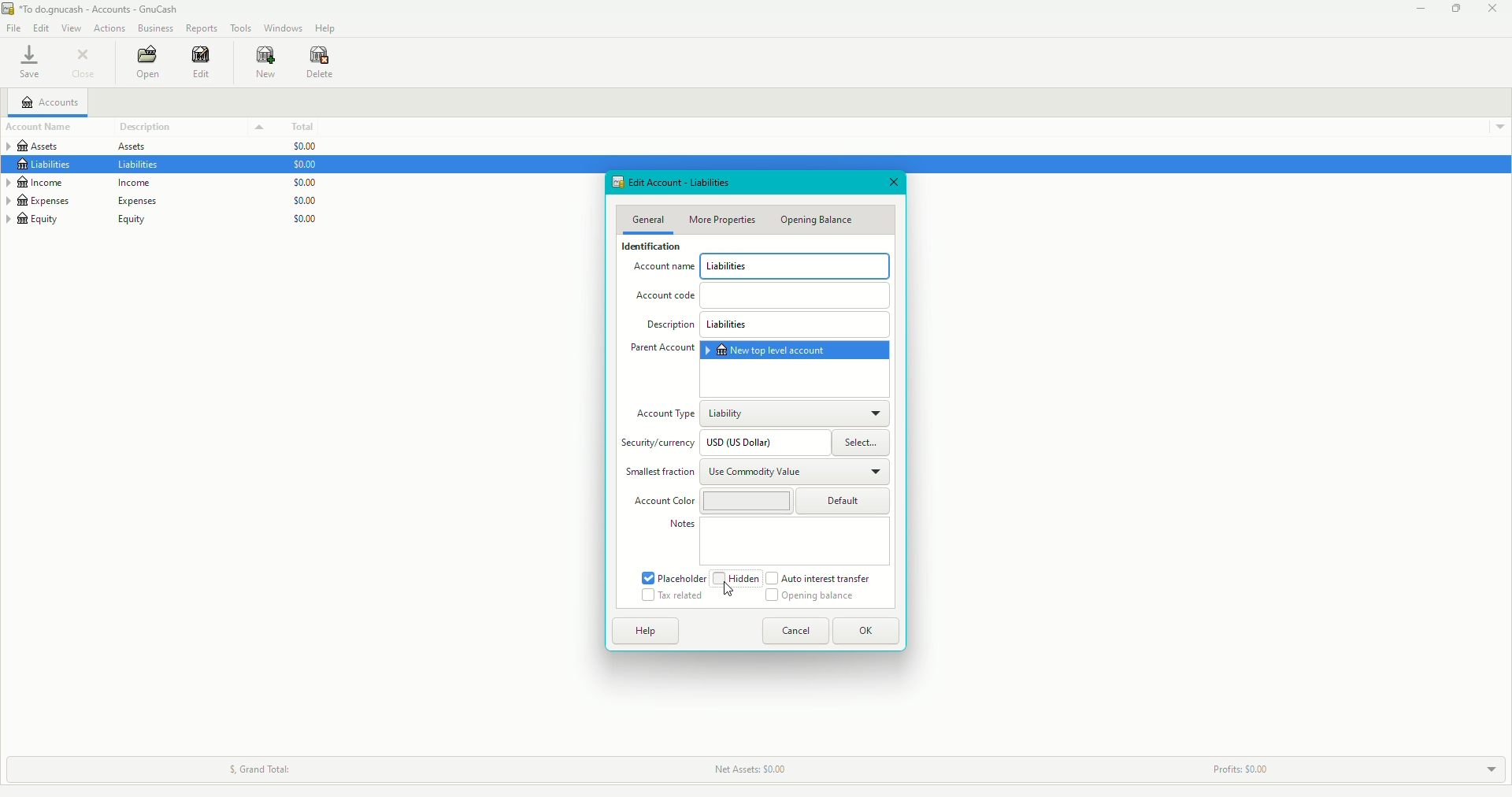  Describe the element at coordinates (674, 578) in the screenshot. I see `Placeholder` at that location.